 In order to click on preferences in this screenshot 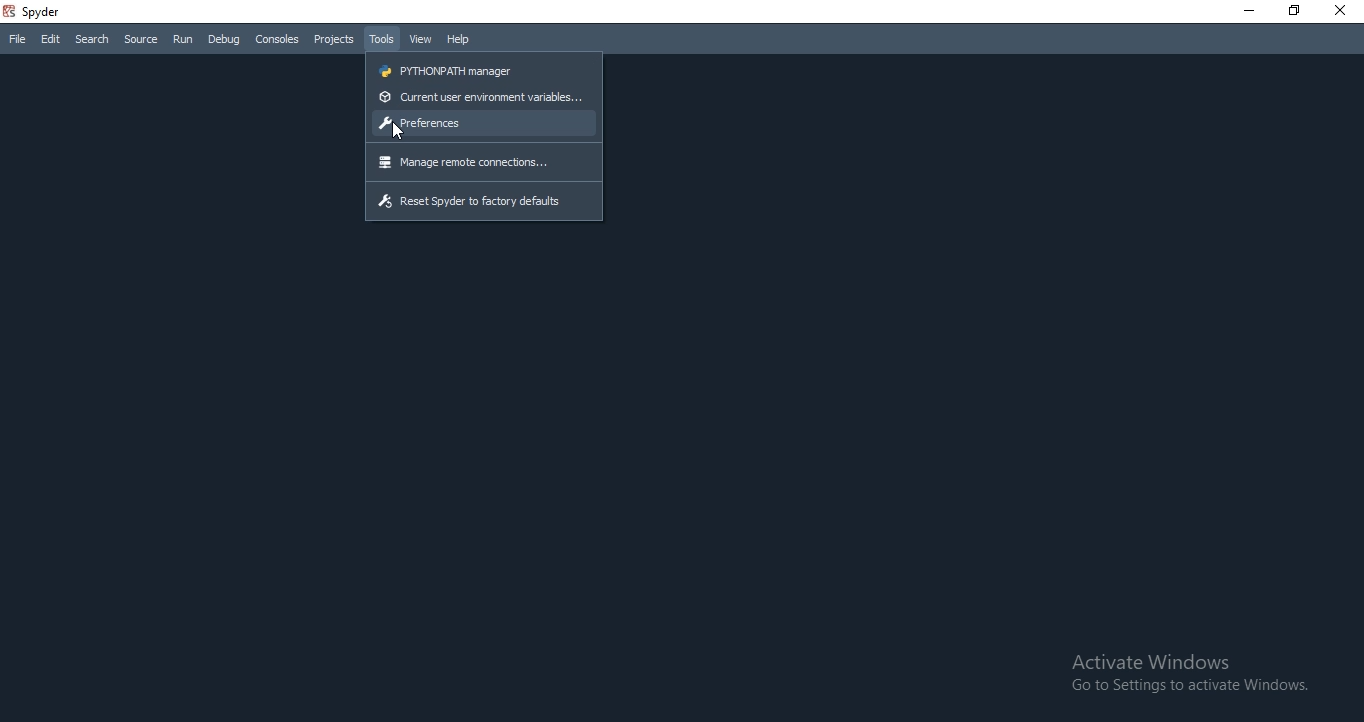, I will do `click(484, 123)`.